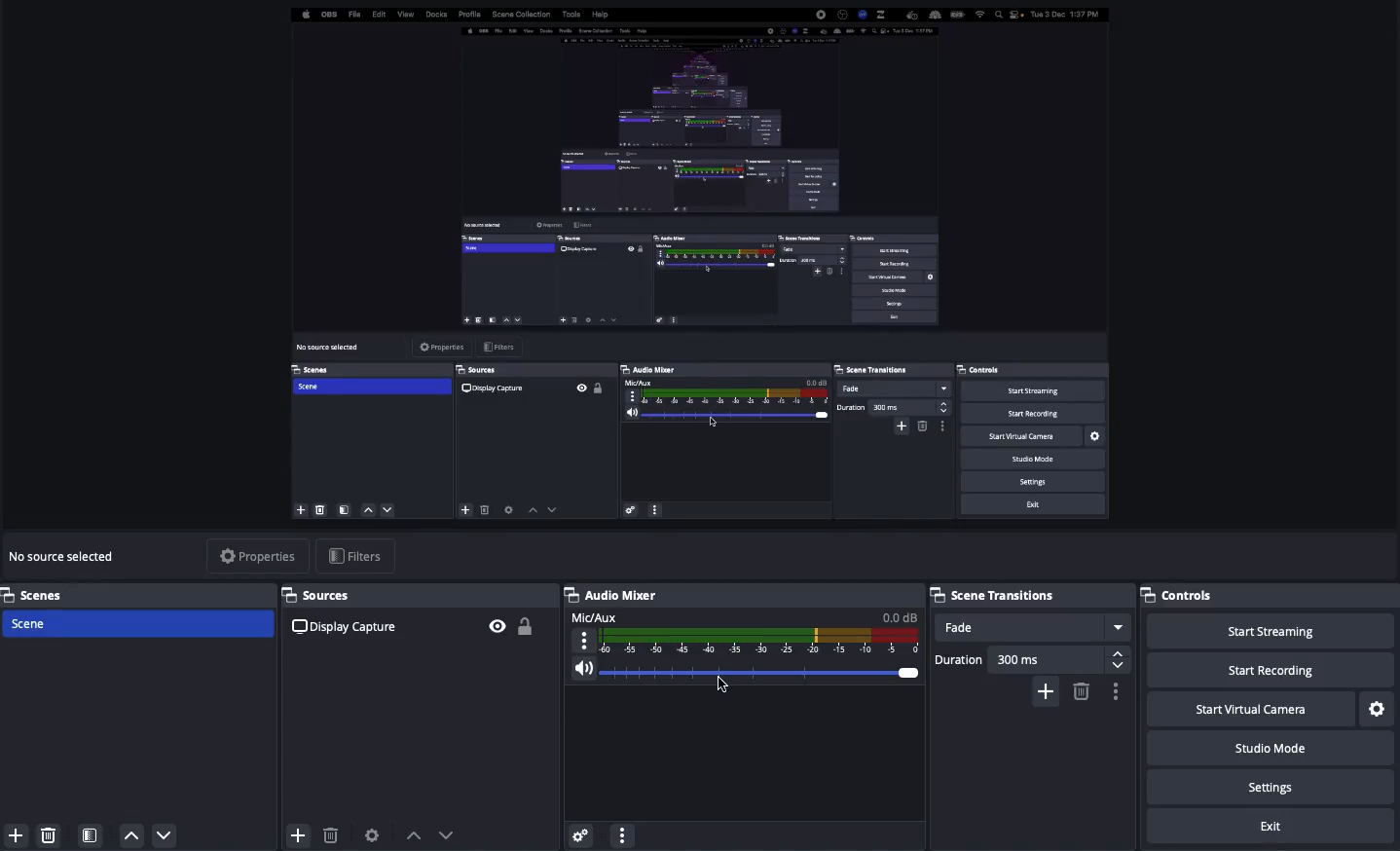 The width and height of the screenshot is (1400, 851). What do you see at coordinates (139, 625) in the screenshot?
I see `Scene` at bounding box center [139, 625].